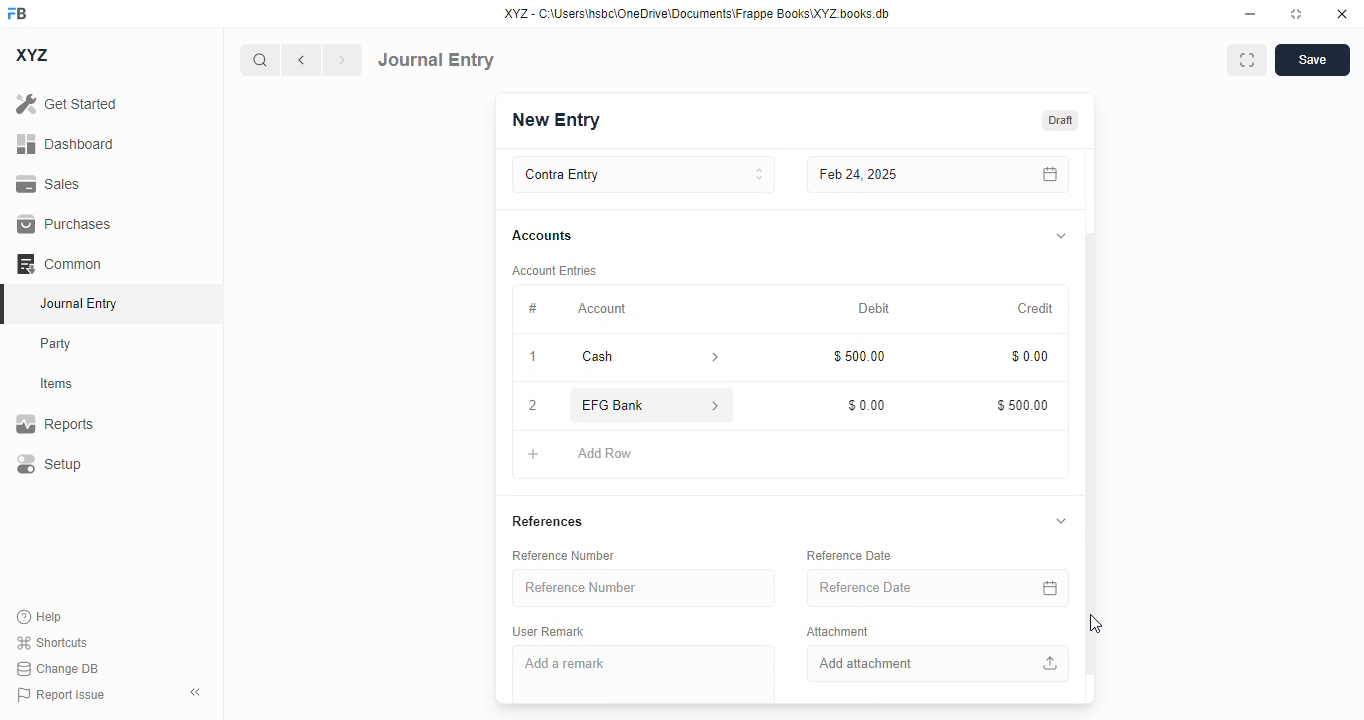 Image resolution: width=1364 pixels, height=720 pixels. Describe the element at coordinates (259, 60) in the screenshot. I see `search` at that location.